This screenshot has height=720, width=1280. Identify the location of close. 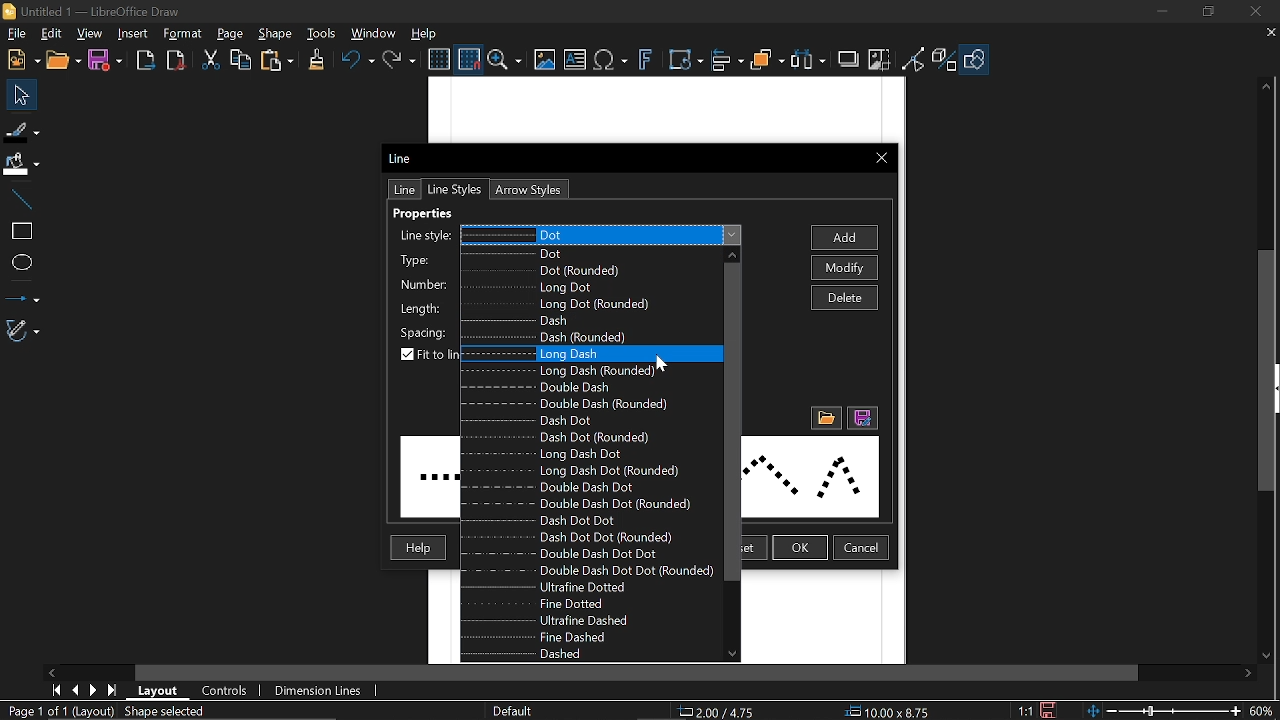
(1255, 12).